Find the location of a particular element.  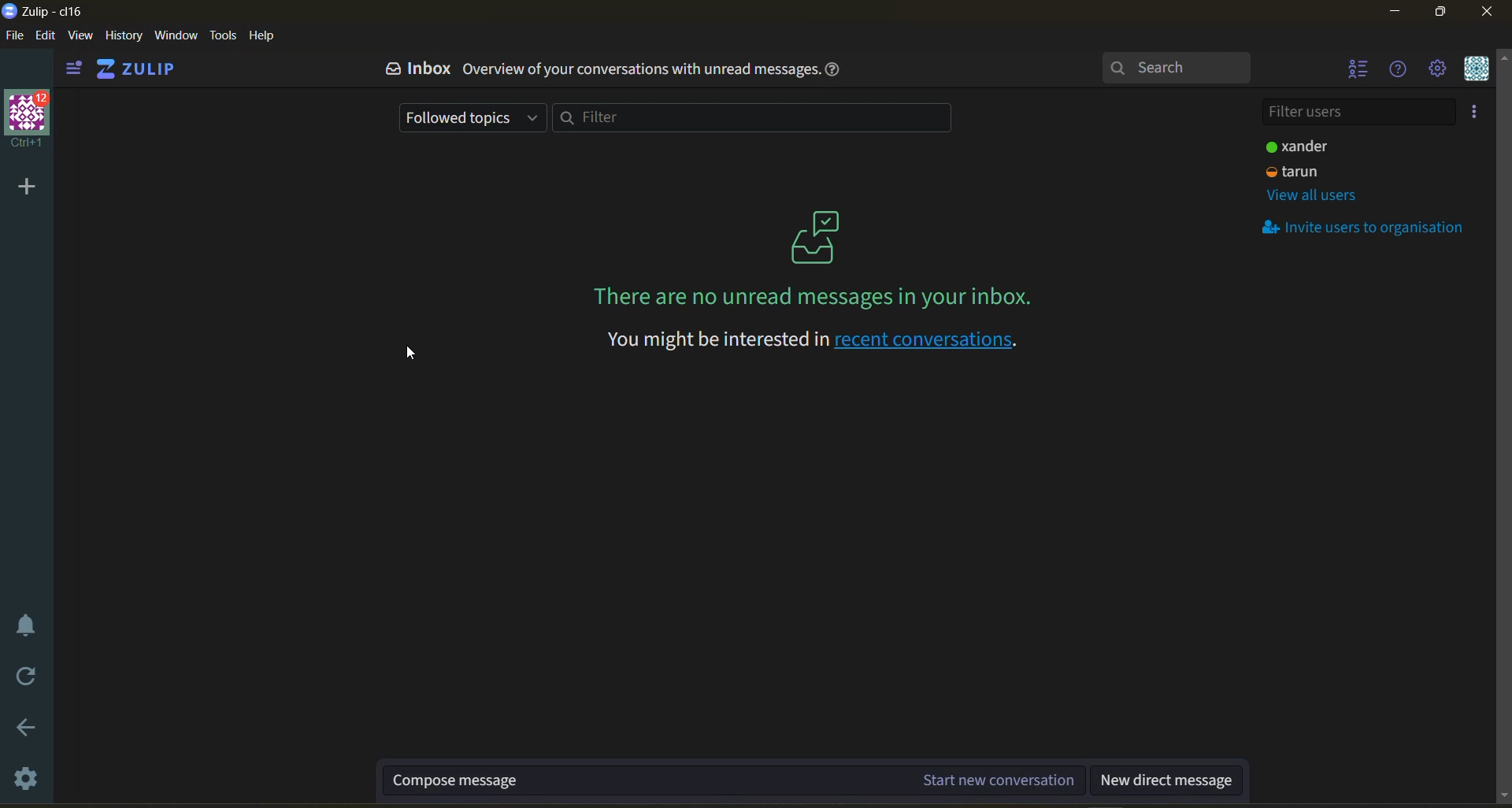

app name and organisation name is located at coordinates (44, 10).